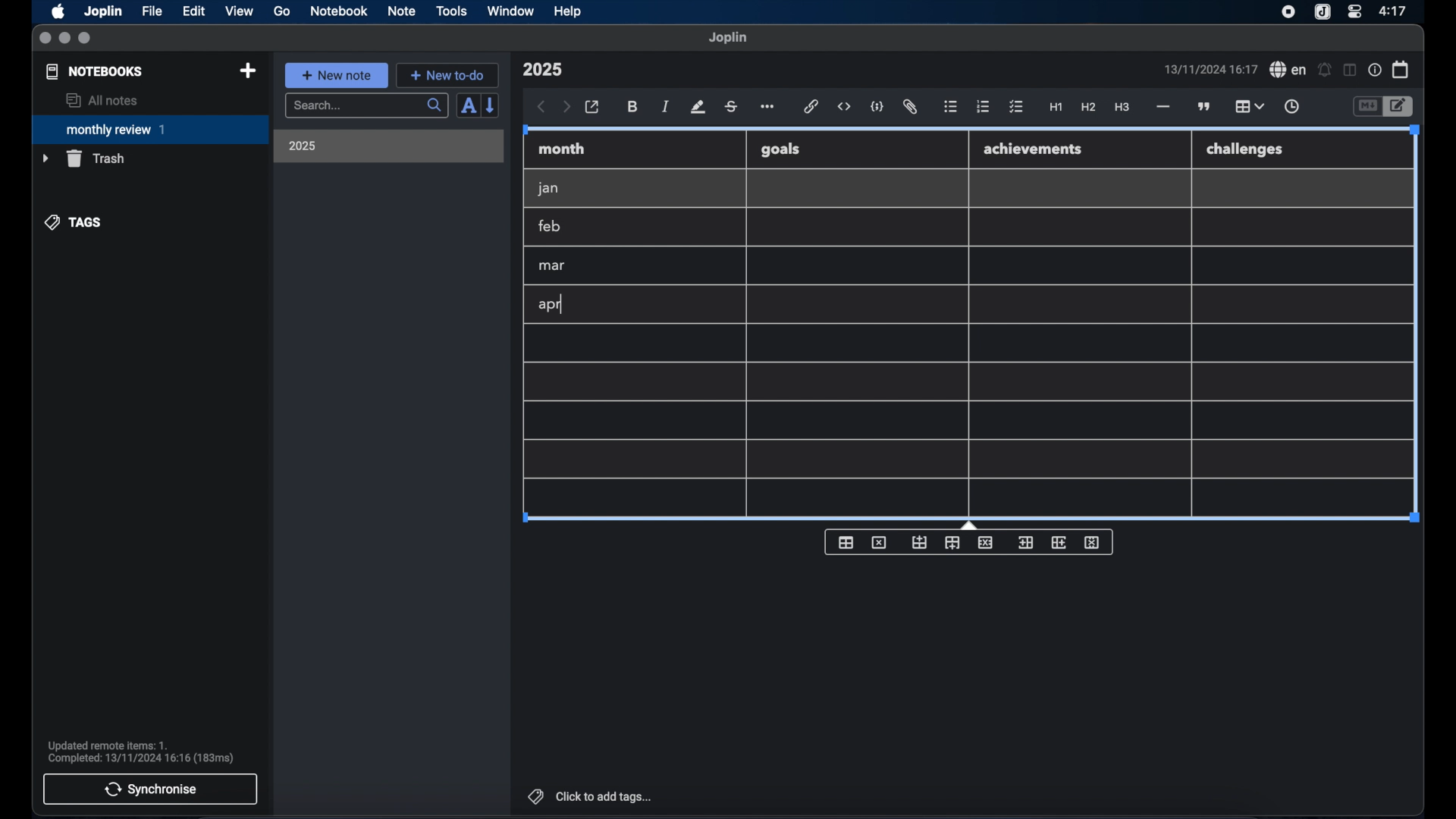 The height and width of the screenshot is (819, 1456). I want to click on horizontal rule, so click(1162, 107).